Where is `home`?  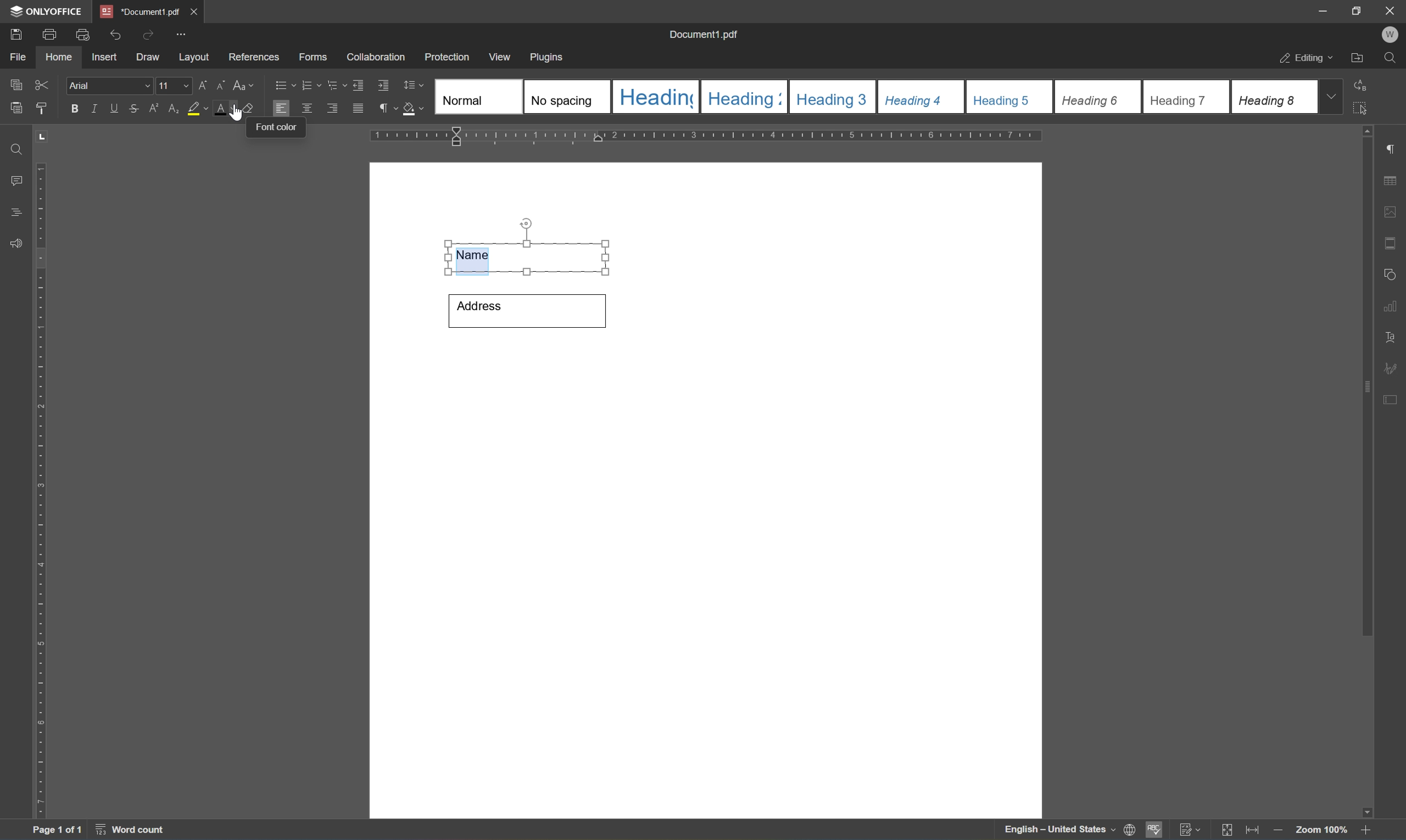
home is located at coordinates (62, 59).